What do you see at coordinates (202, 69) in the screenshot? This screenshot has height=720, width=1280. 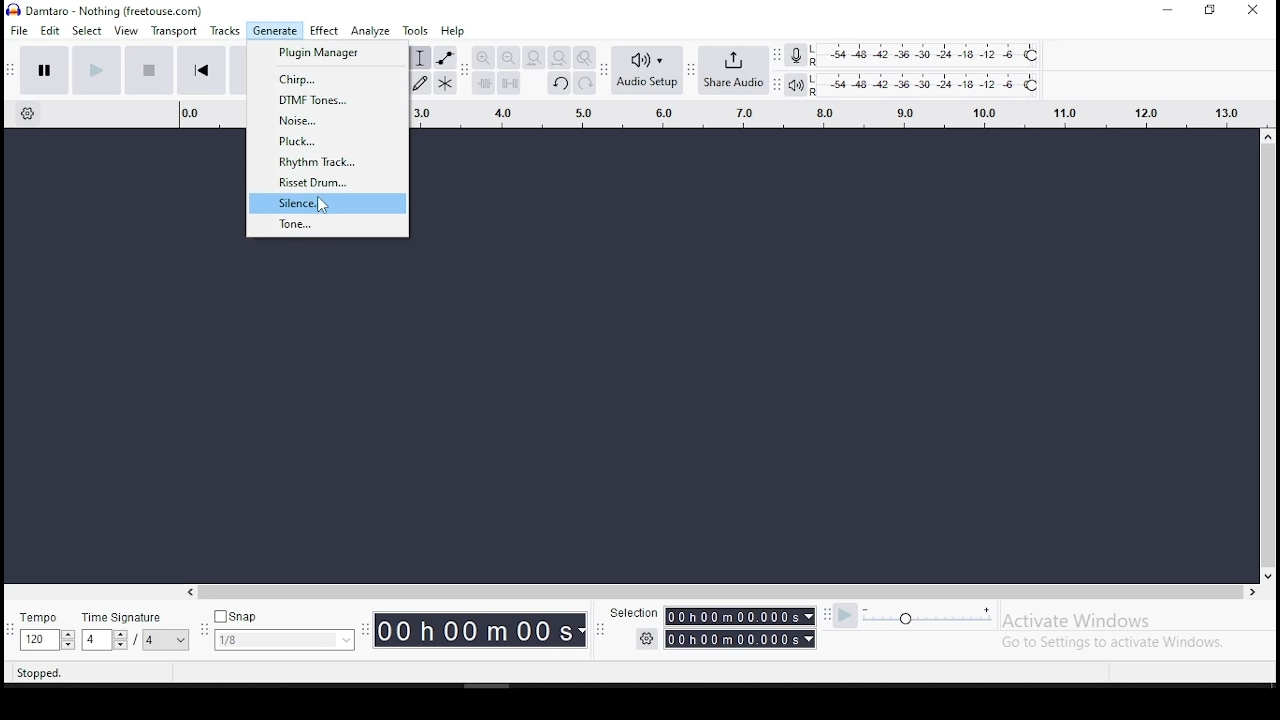 I see `skip to start` at bounding box center [202, 69].